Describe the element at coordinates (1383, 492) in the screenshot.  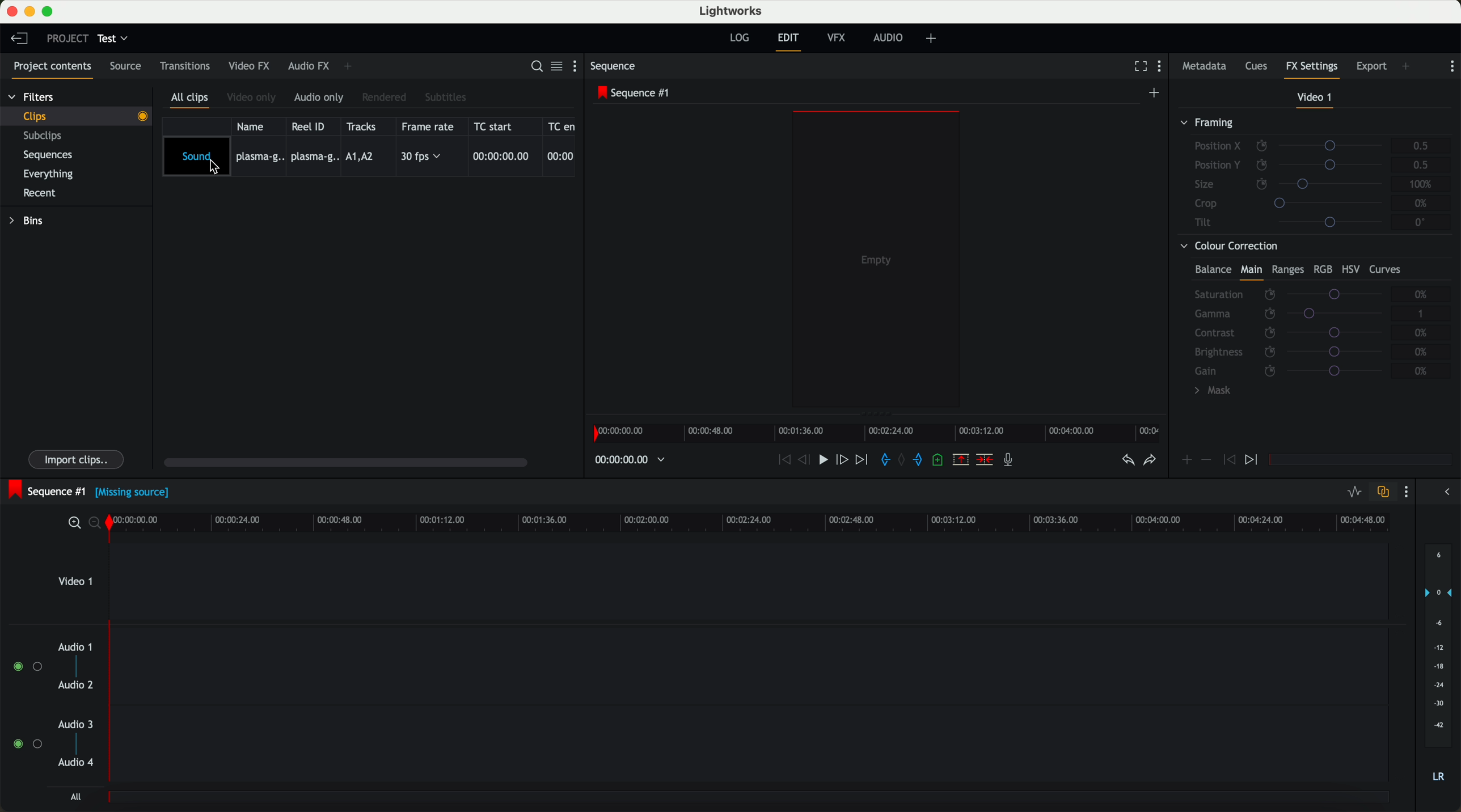
I see `toggle auto track sync` at that location.